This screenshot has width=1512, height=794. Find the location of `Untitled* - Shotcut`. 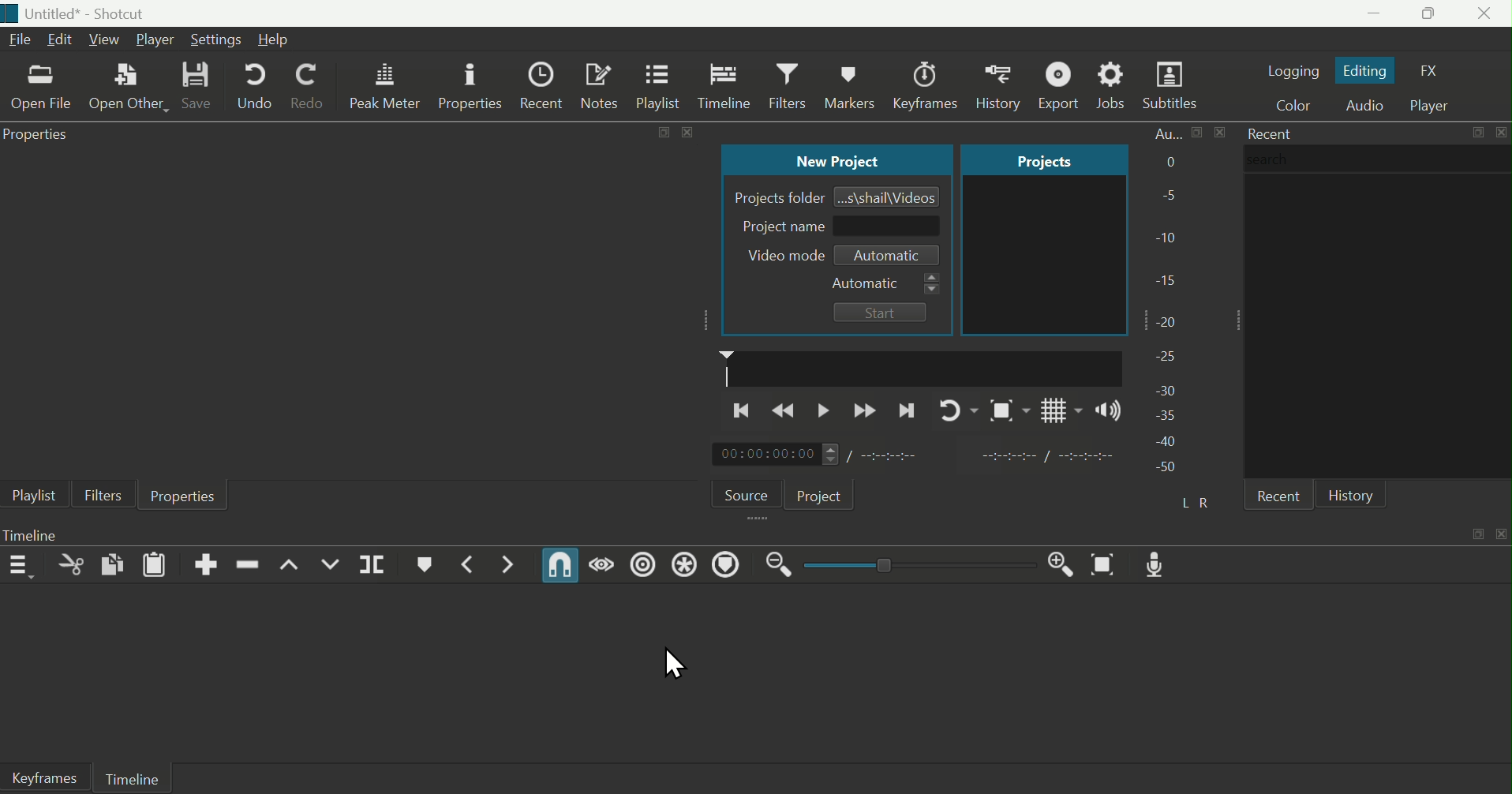

Untitled* - Shotcut is located at coordinates (82, 14).